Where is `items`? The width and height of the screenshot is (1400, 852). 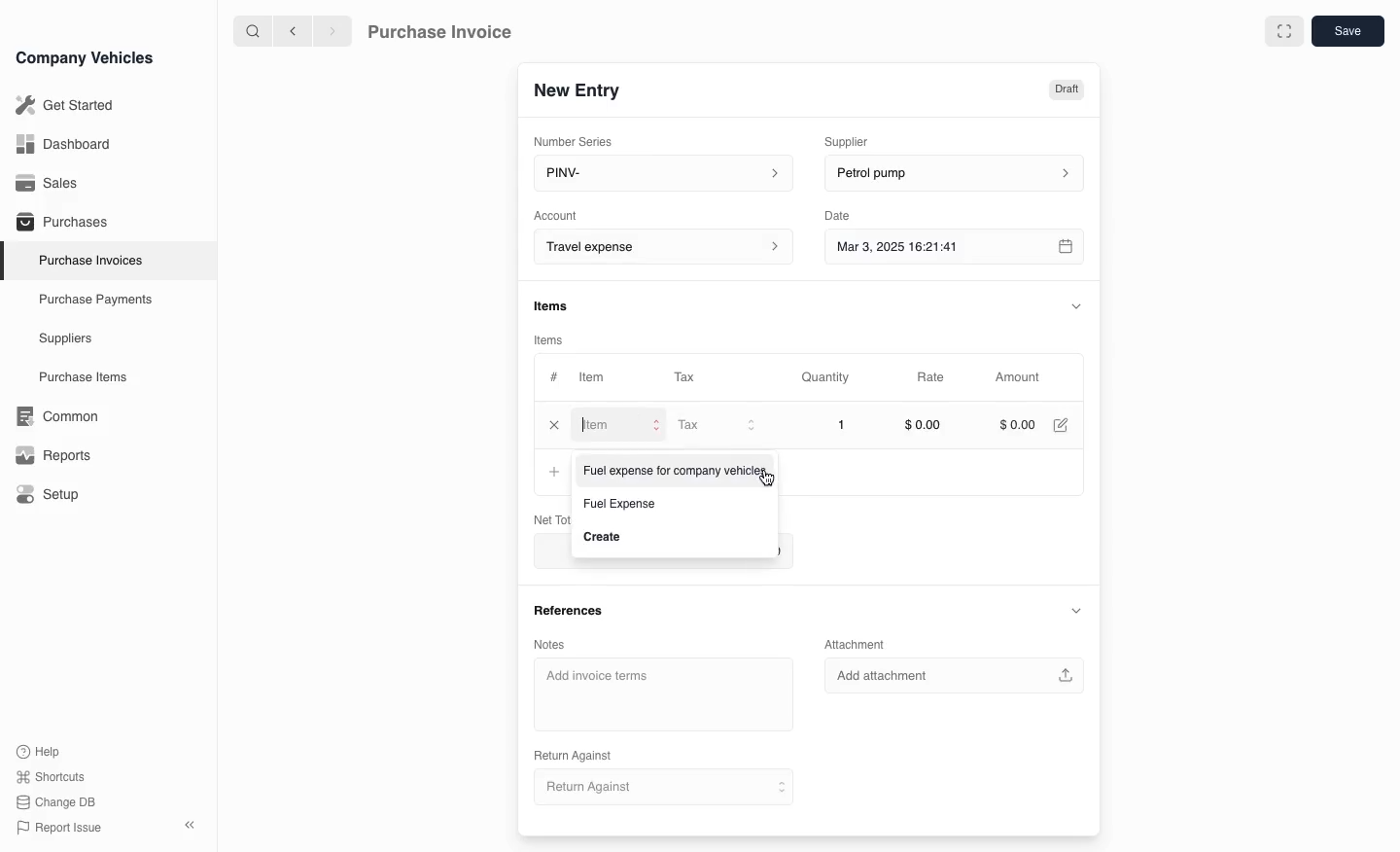
items is located at coordinates (553, 307).